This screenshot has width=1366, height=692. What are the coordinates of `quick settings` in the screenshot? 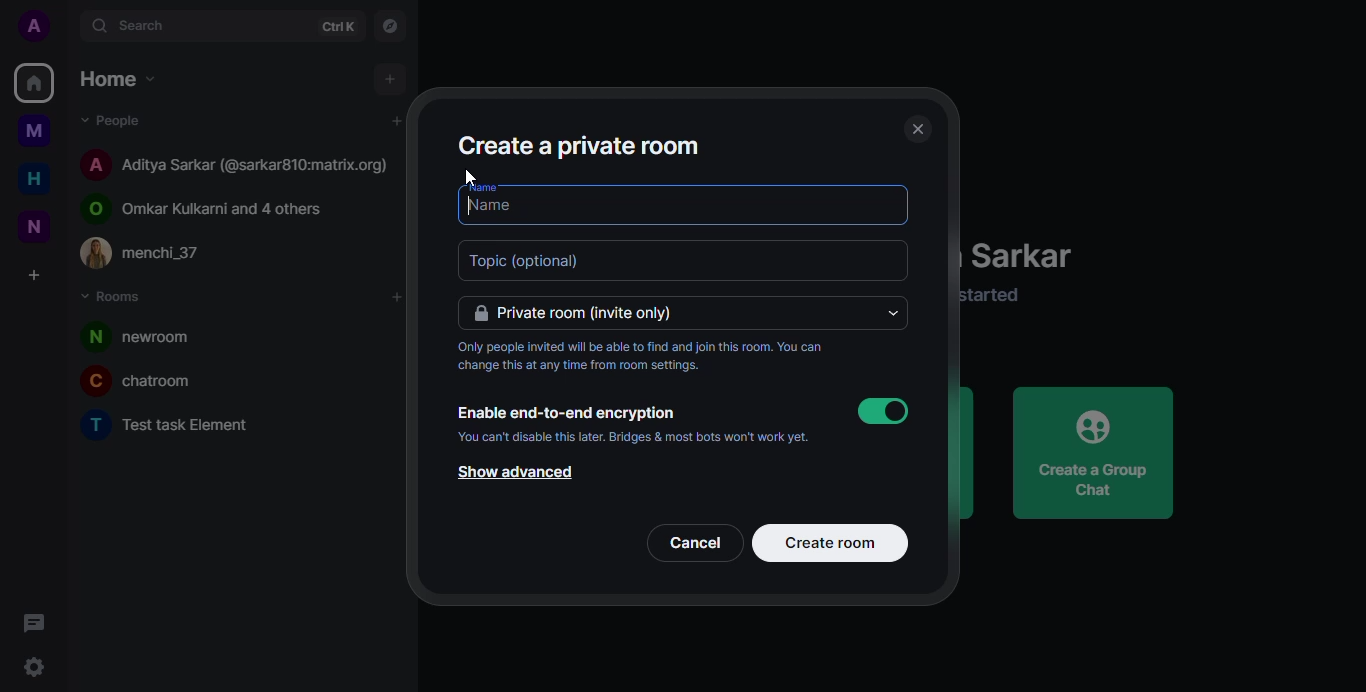 It's located at (27, 666).